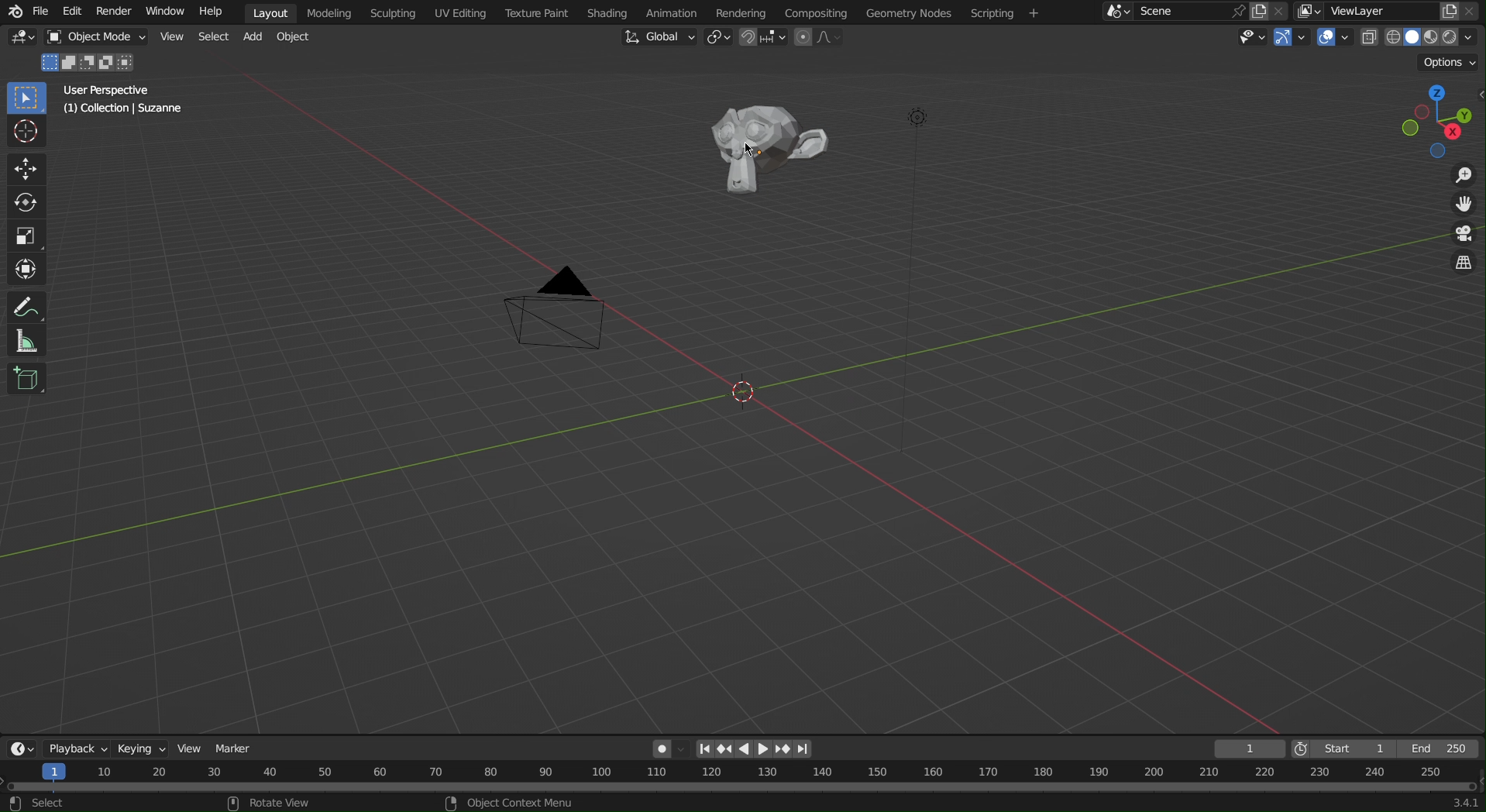 The height and width of the screenshot is (812, 1486). What do you see at coordinates (659, 37) in the screenshot?
I see `Global` at bounding box center [659, 37].